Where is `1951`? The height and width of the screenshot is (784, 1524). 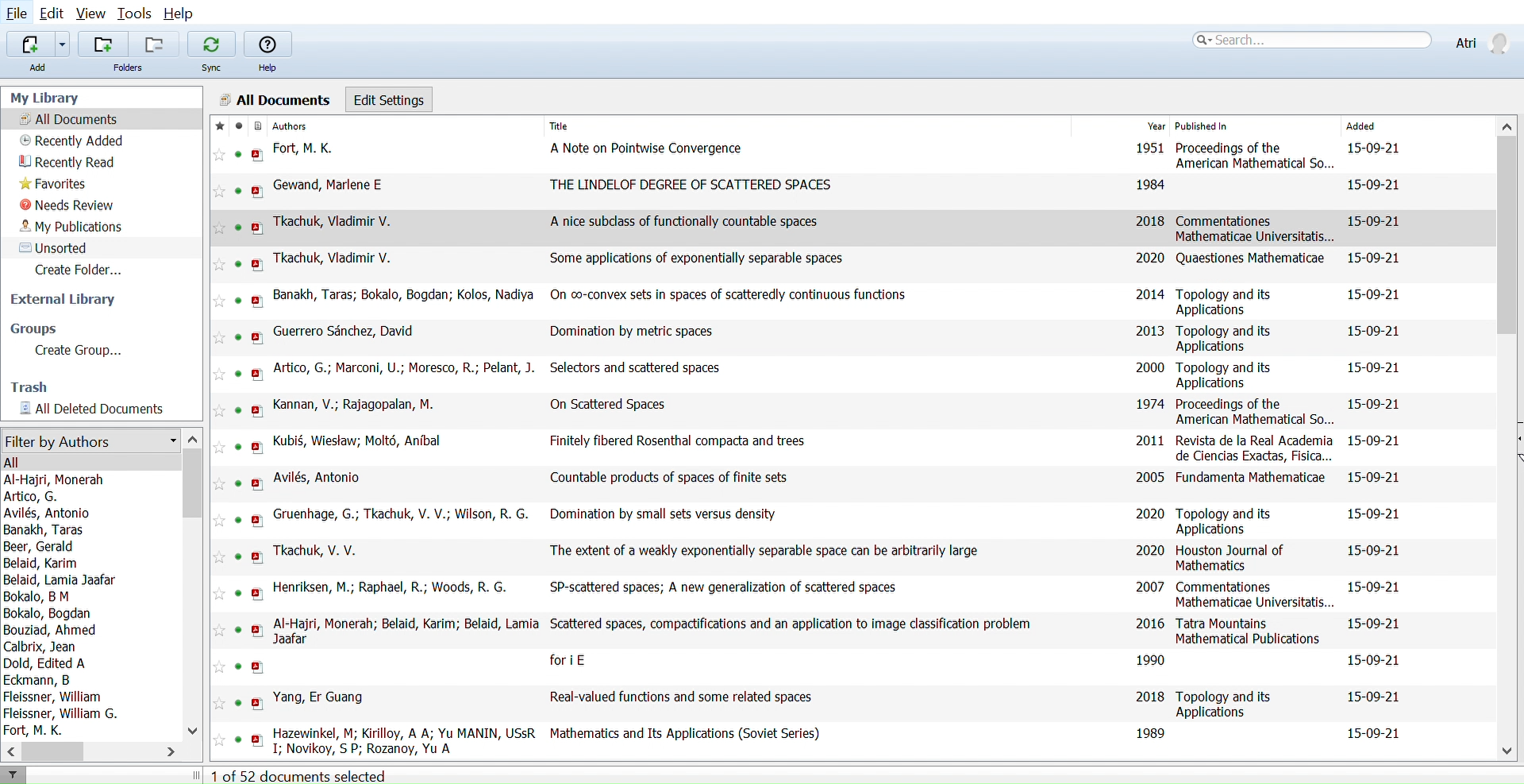
1951 is located at coordinates (1149, 148).